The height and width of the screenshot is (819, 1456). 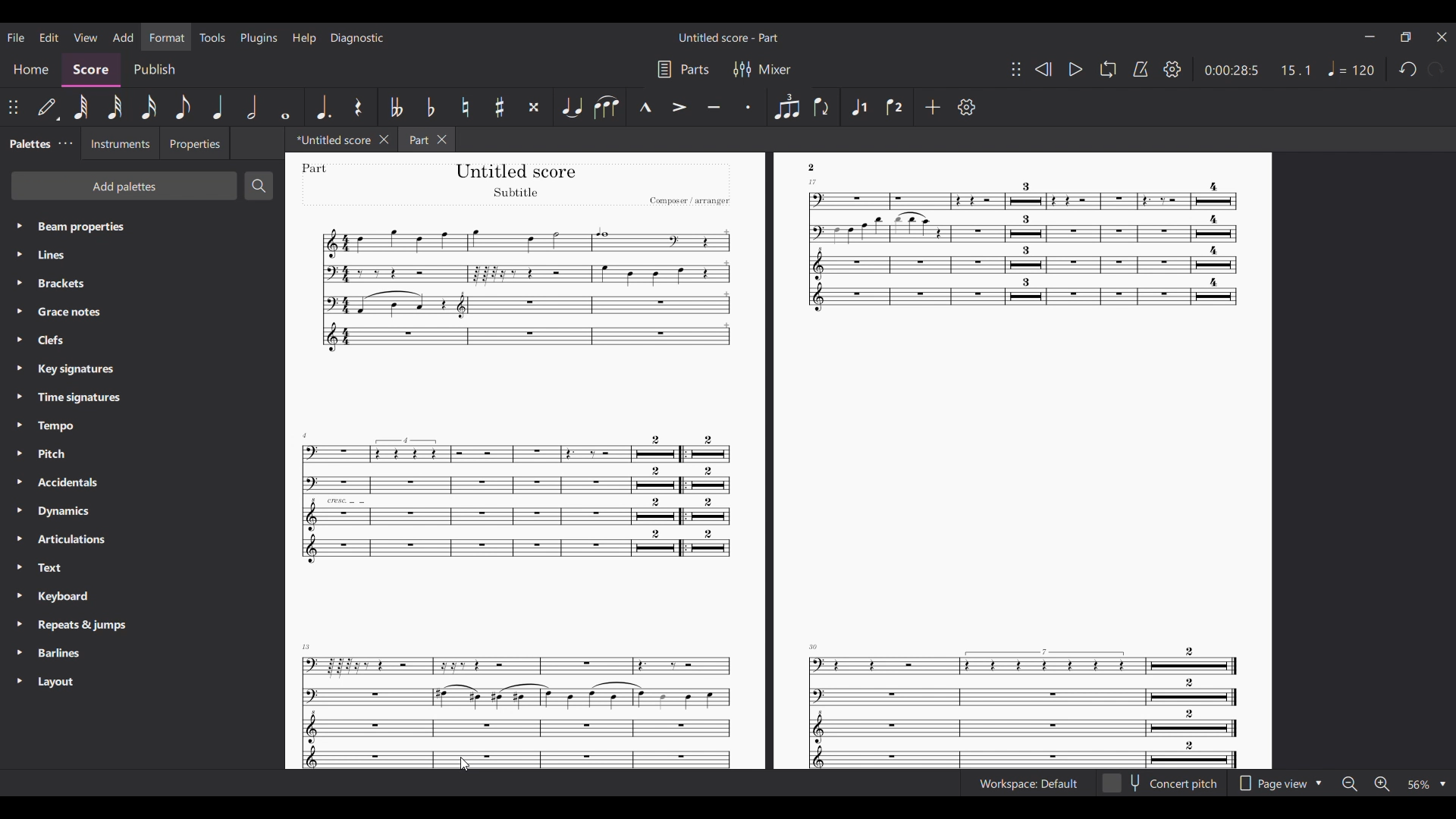 What do you see at coordinates (183, 107) in the screenshot?
I see `8th note` at bounding box center [183, 107].